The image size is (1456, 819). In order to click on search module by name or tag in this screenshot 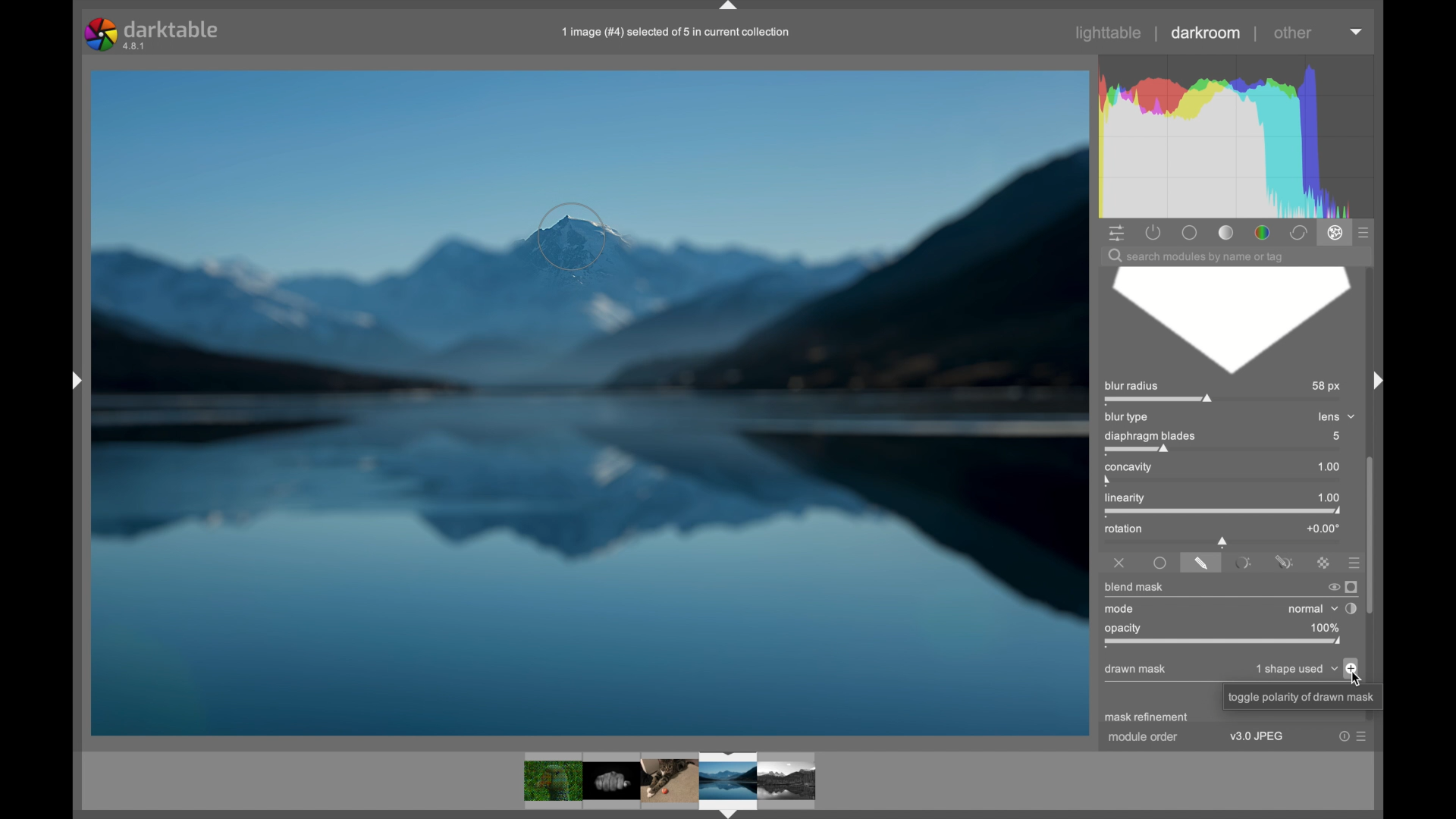, I will do `click(1196, 256)`.